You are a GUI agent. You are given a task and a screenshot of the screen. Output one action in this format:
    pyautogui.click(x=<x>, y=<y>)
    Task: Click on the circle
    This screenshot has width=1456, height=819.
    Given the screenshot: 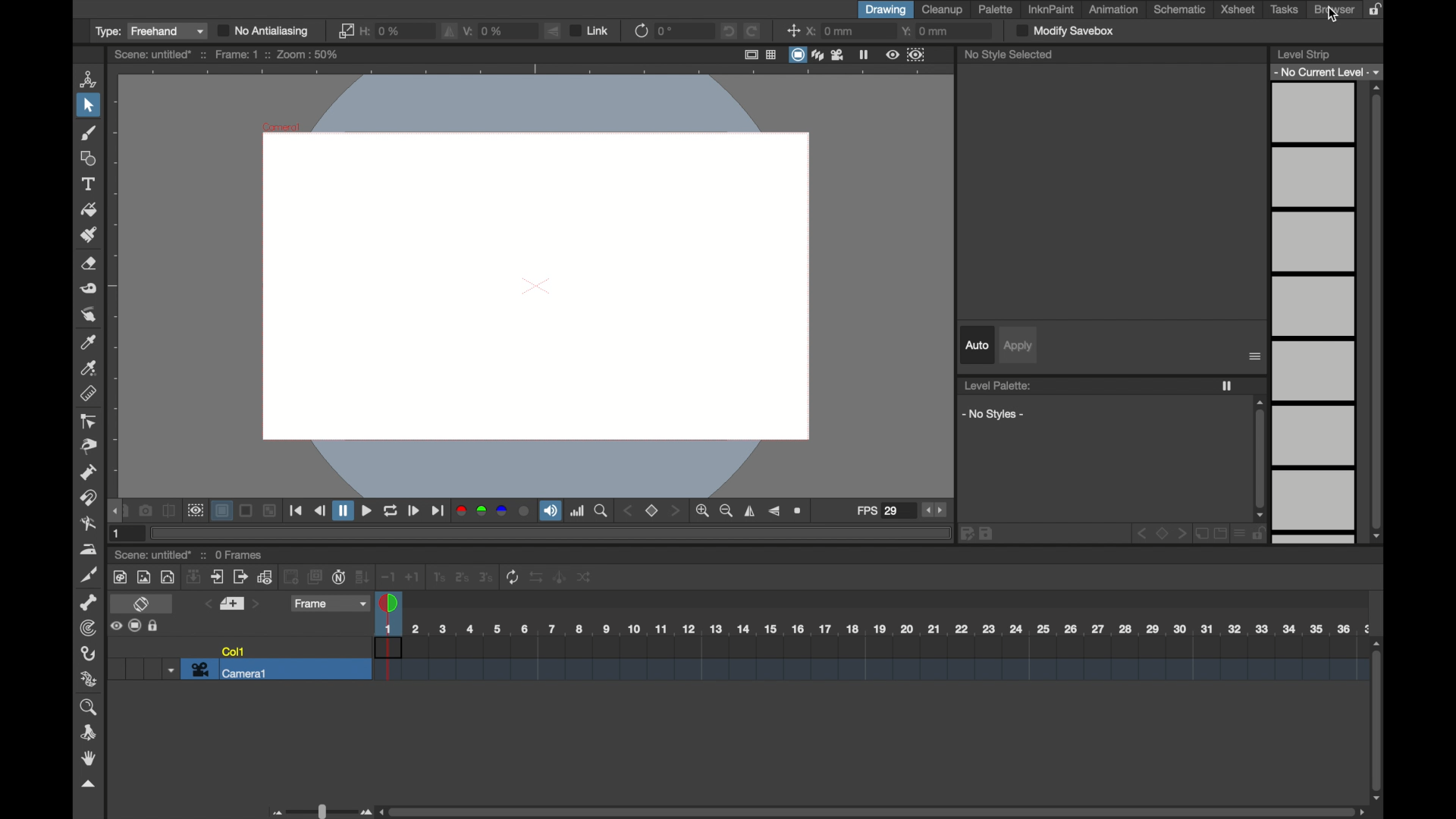 What is the action you would take?
    pyautogui.click(x=526, y=511)
    